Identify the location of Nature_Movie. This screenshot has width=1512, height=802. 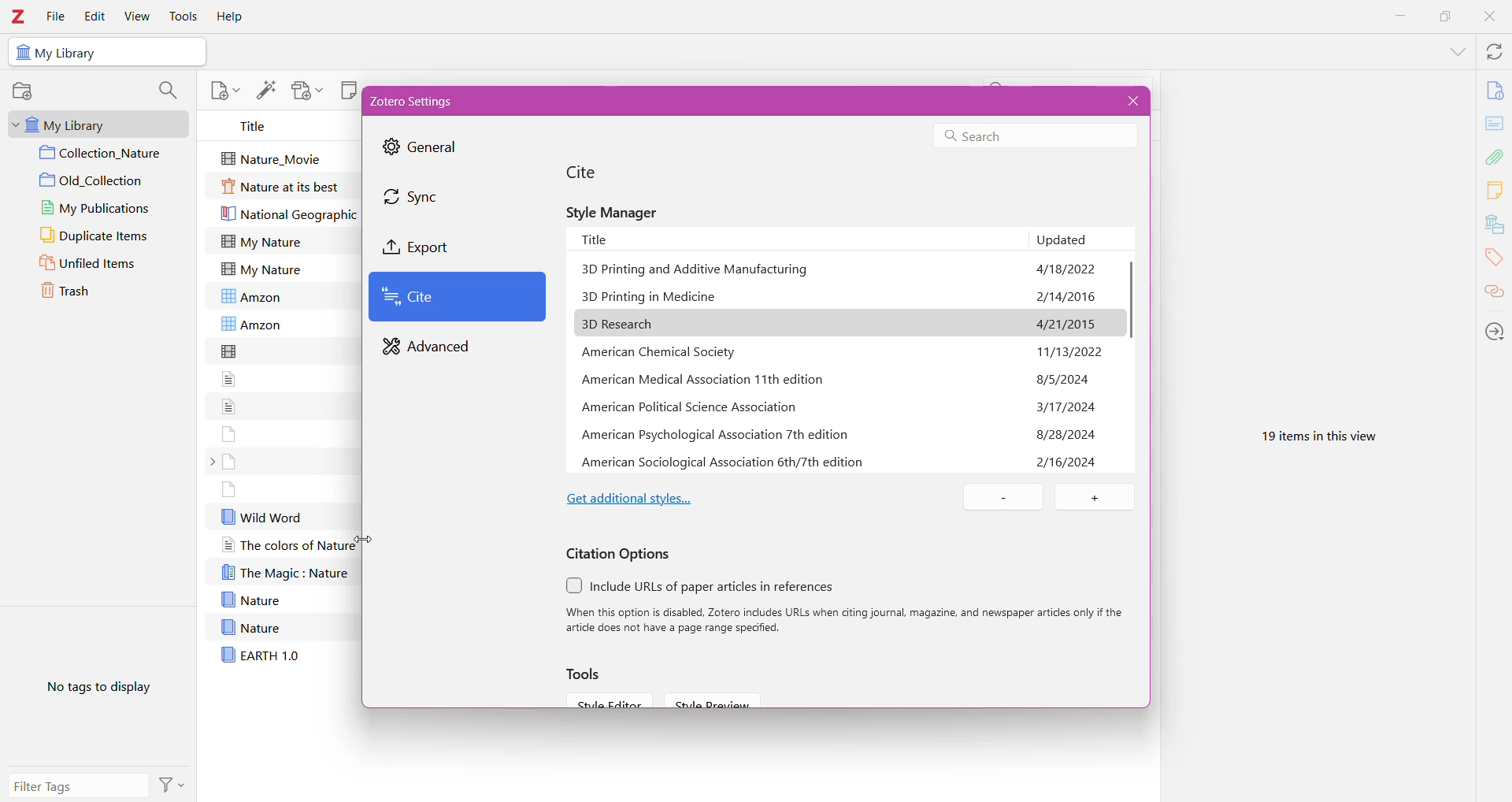
(276, 157).